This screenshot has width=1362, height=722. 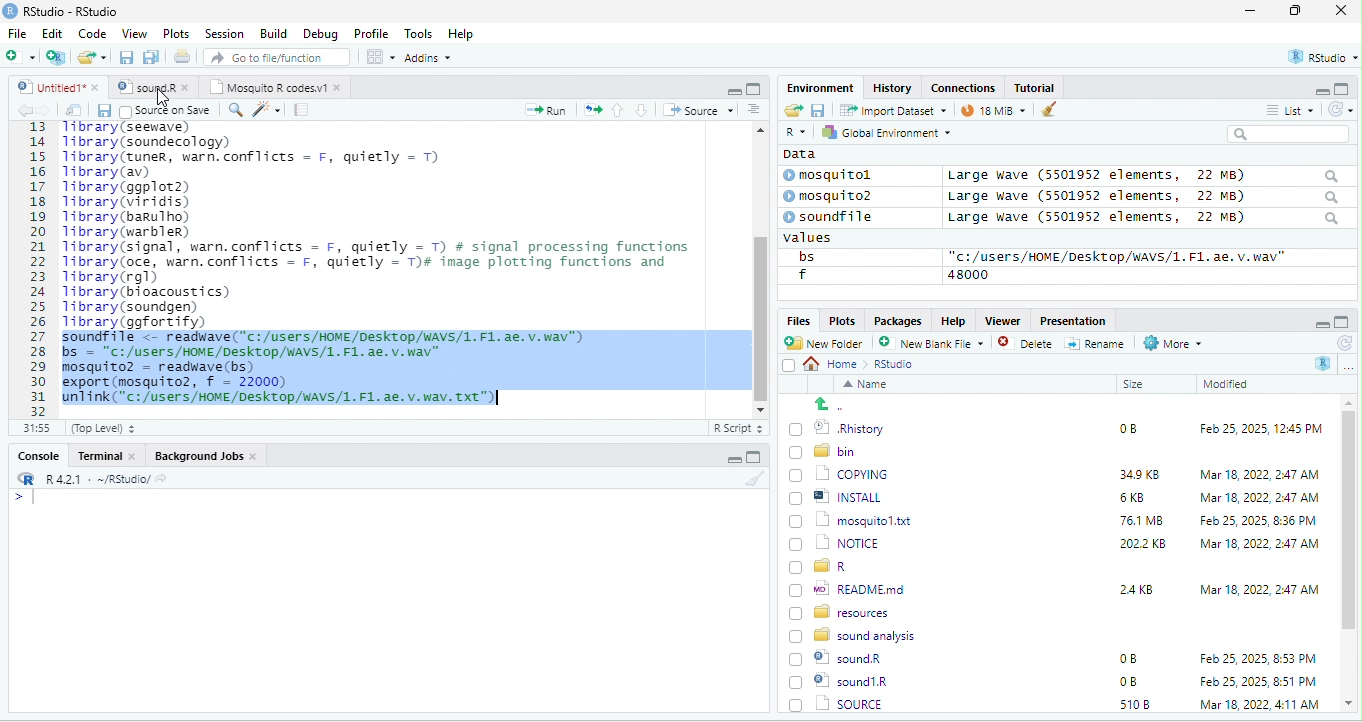 I want to click on data, so click(x=797, y=153).